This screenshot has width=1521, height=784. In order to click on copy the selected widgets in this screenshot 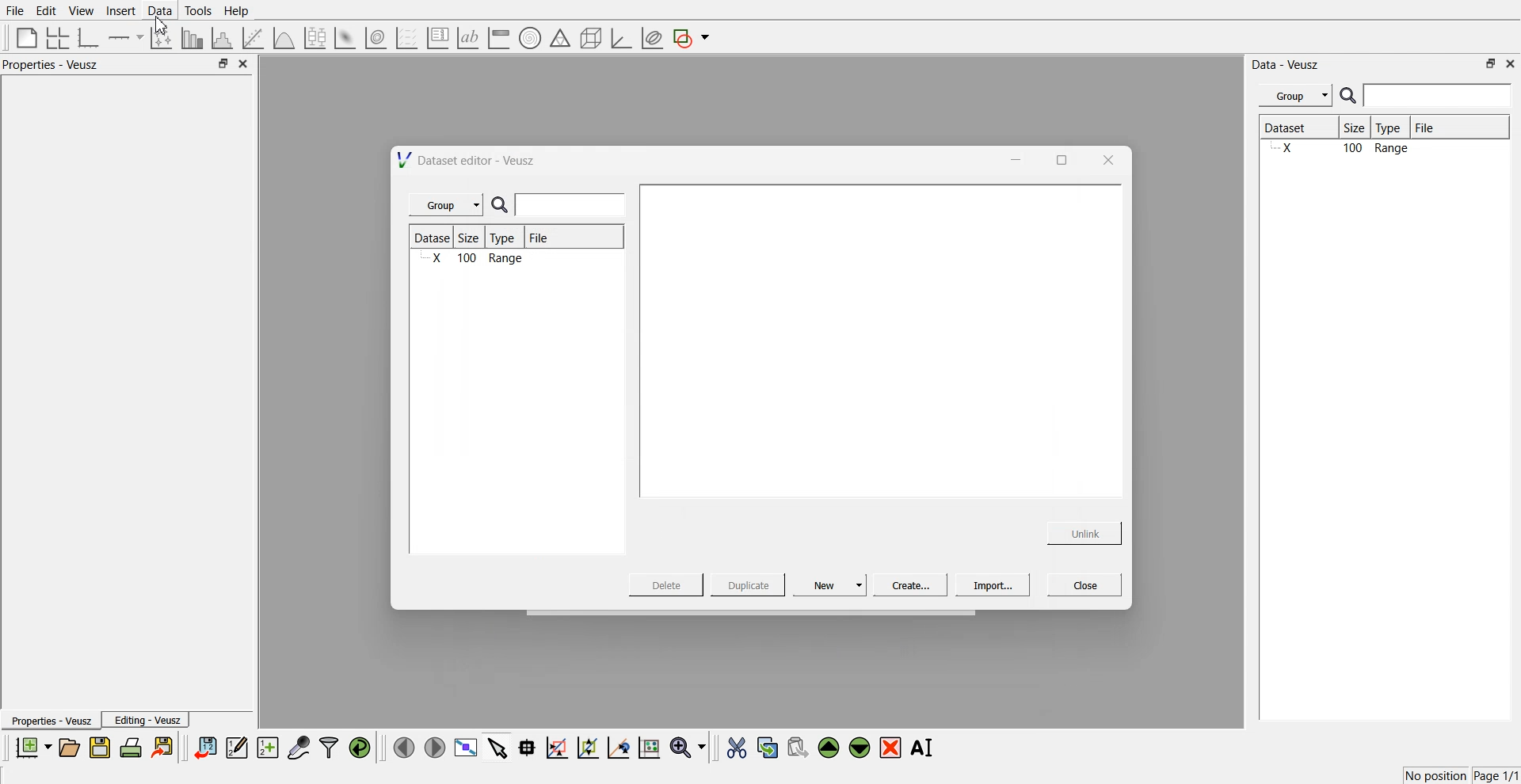, I will do `click(768, 747)`.